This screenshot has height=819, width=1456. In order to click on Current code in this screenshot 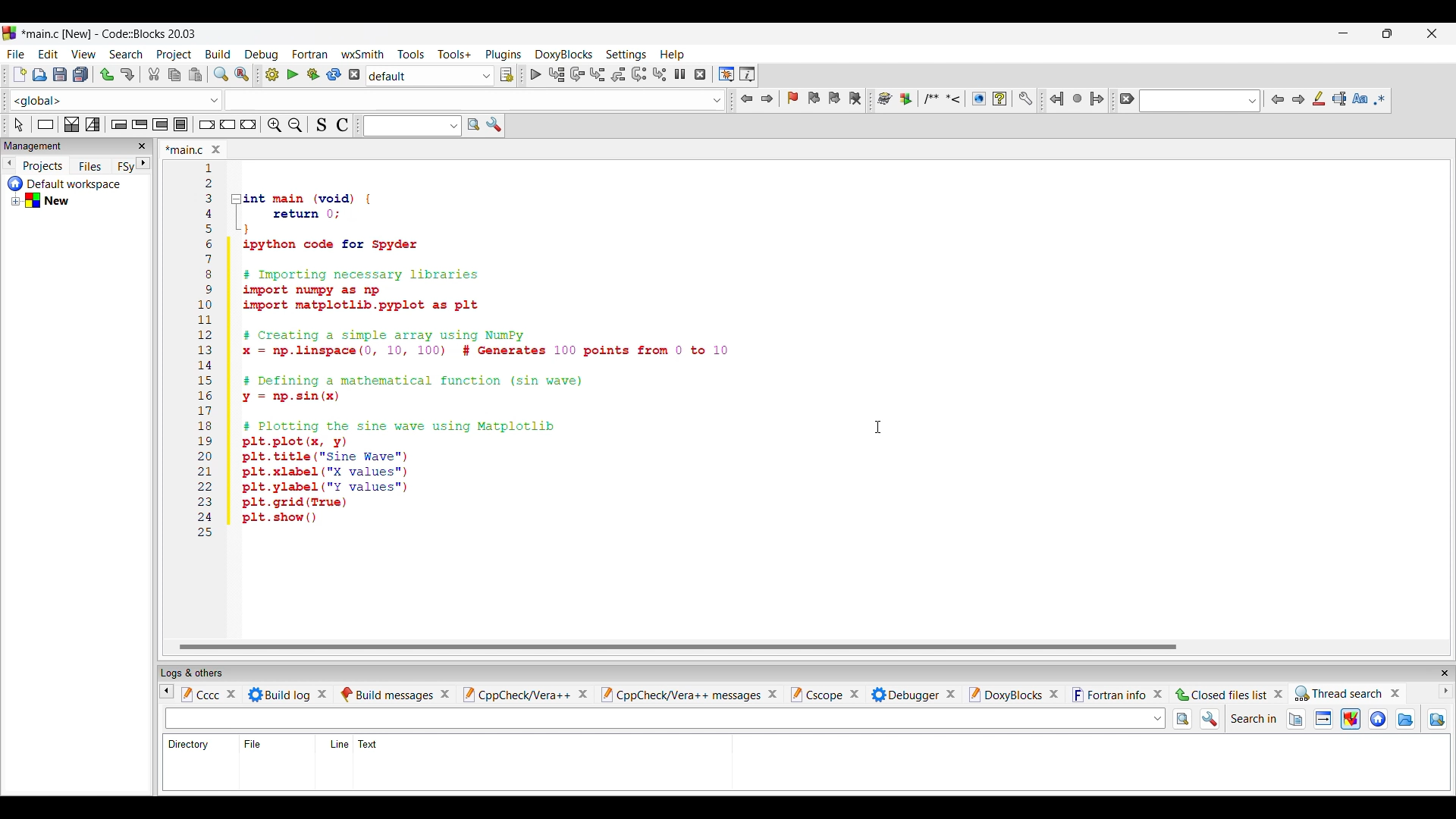, I will do `click(462, 351)`.